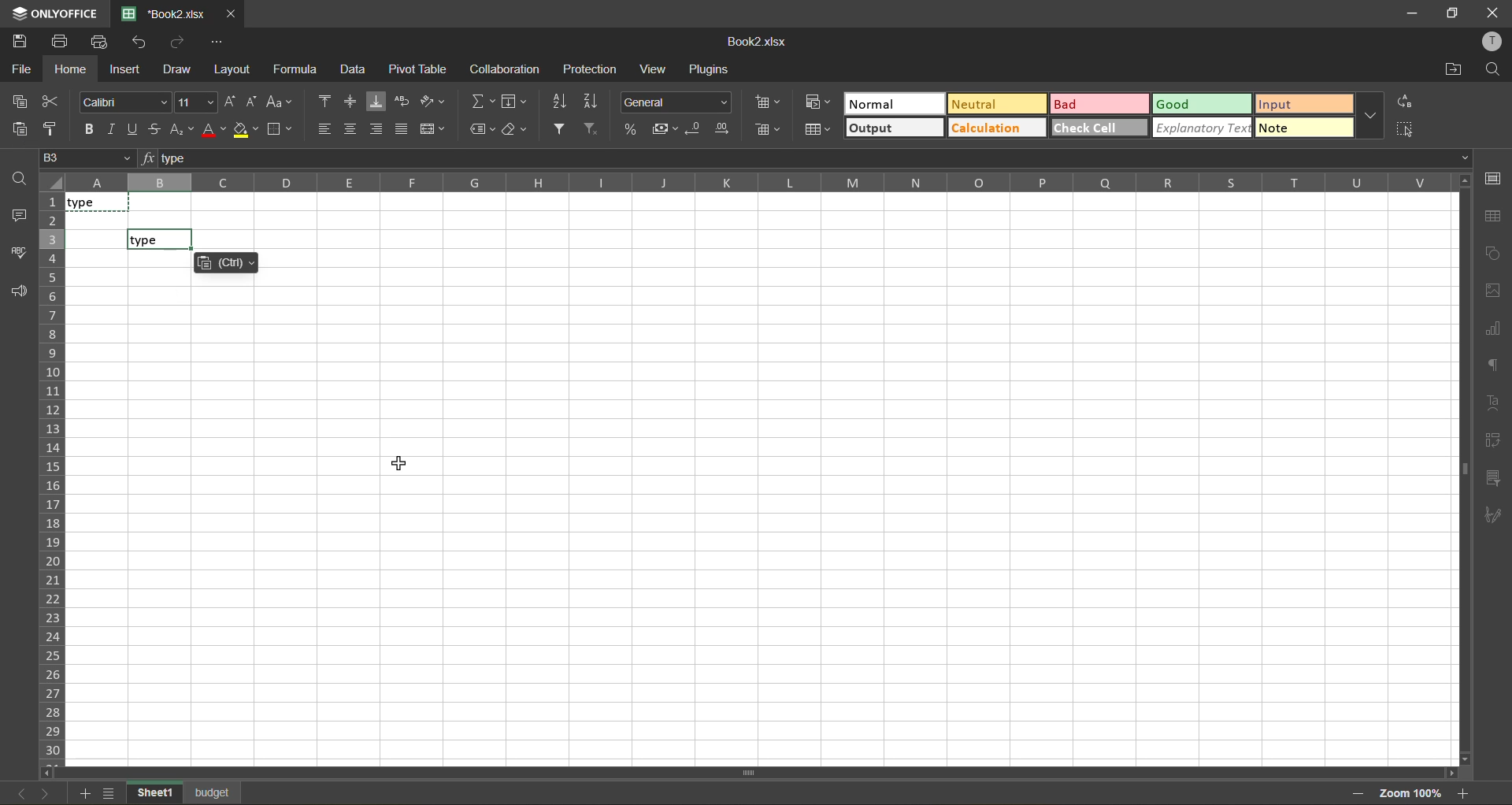 This screenshot has width=1512, height=805. Describe the element at coordinates (227, 263) in the screenshot. I see `paste options` at that location.